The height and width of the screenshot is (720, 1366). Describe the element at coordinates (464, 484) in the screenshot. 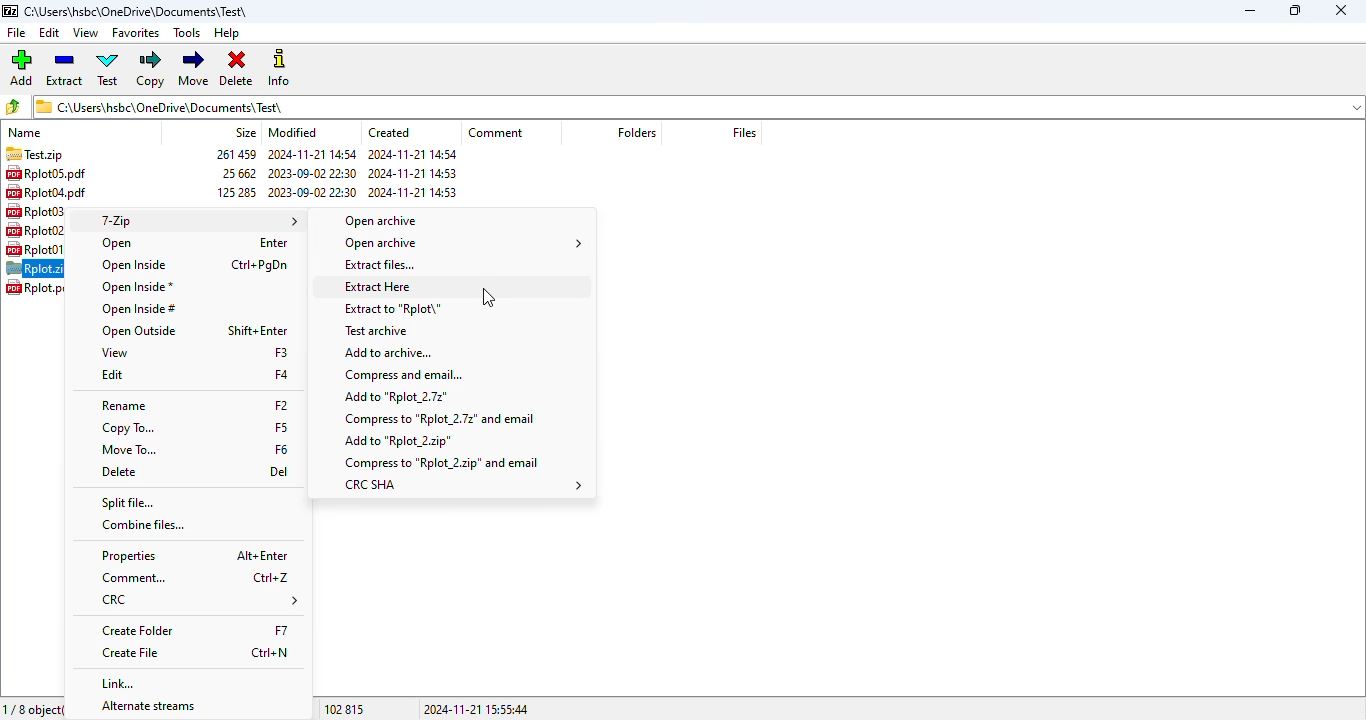

I see `CRC SHA` at that location.